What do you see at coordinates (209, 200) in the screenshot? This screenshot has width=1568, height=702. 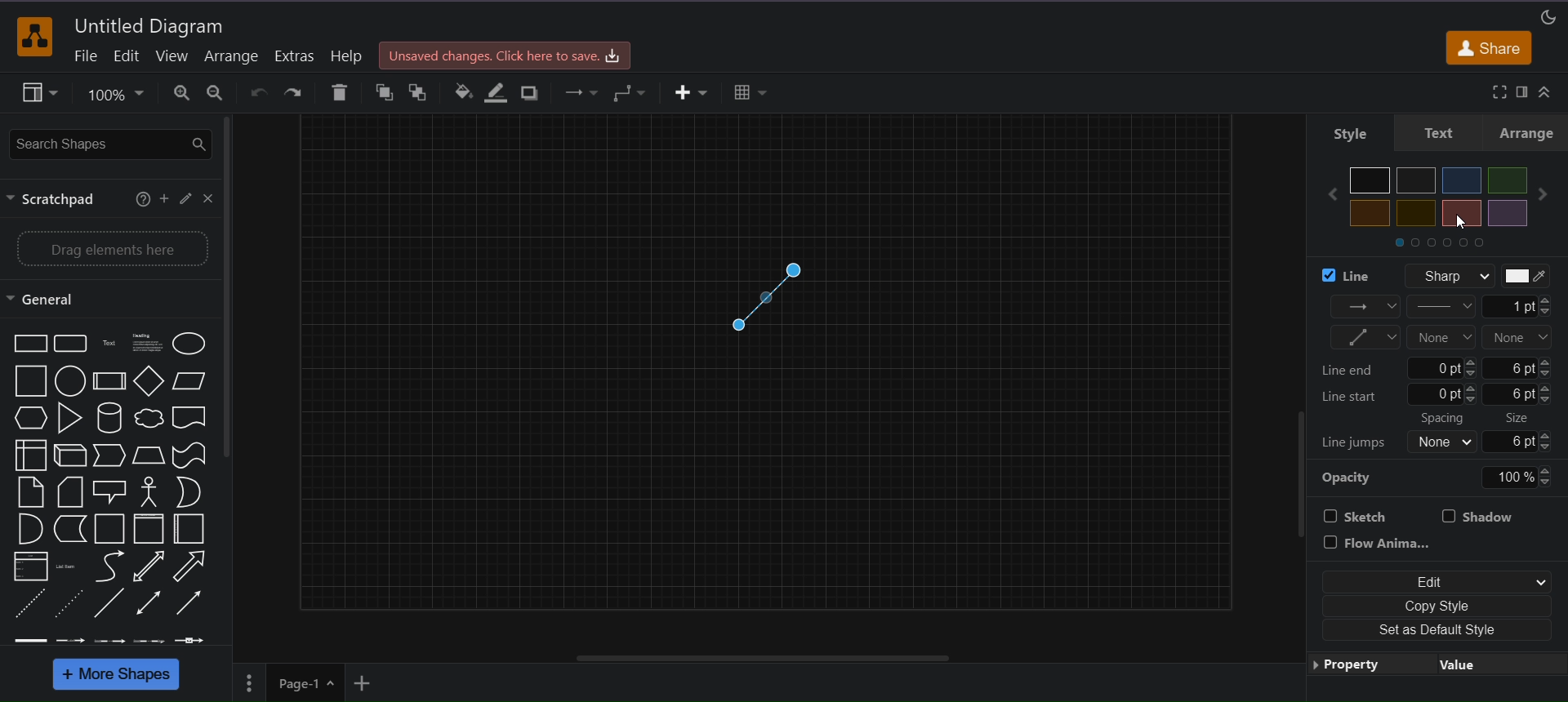 I see `close` at bounding box center [209, 200].